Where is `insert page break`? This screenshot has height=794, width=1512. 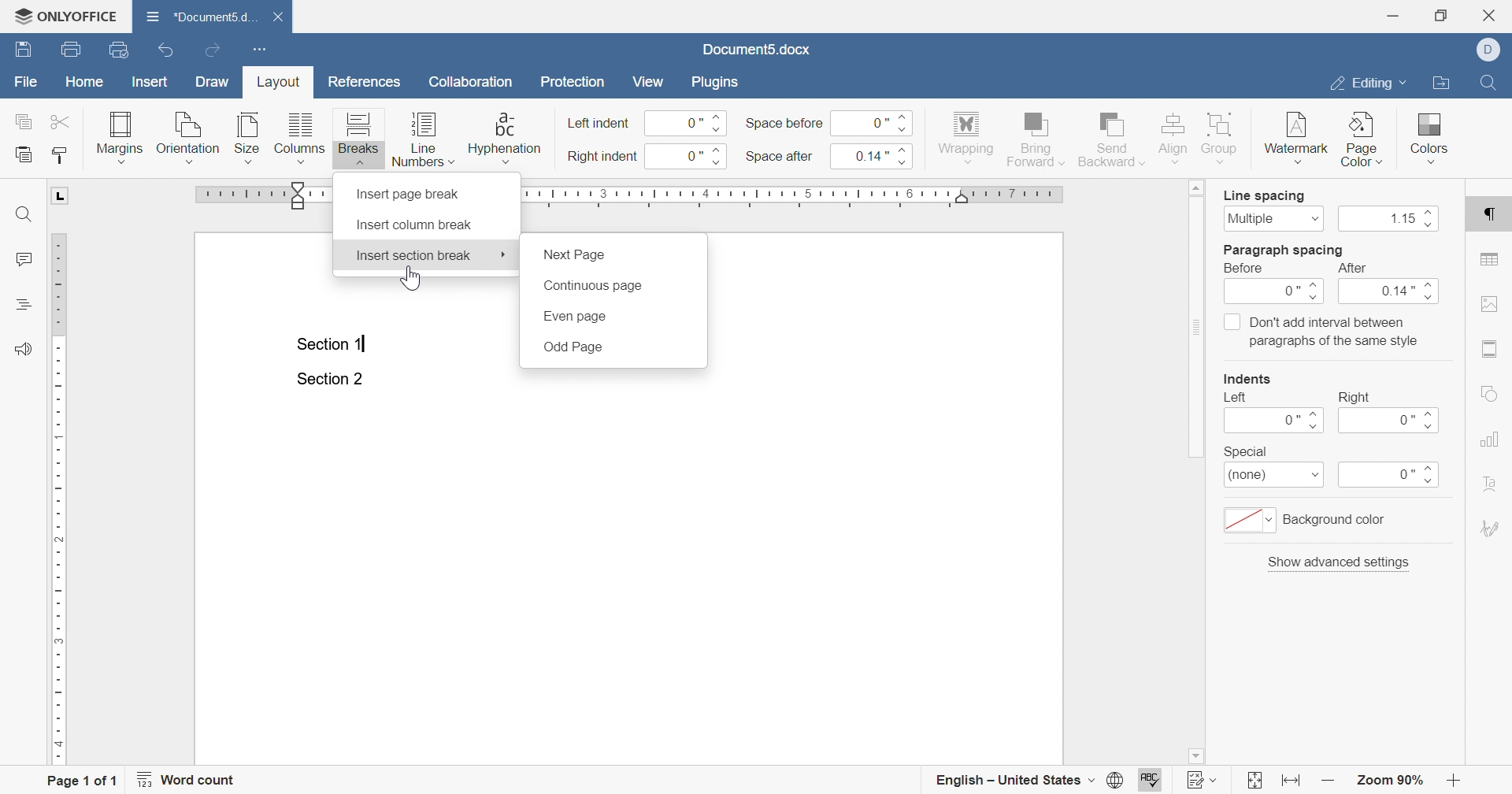
insert page break is located at coordinates (411, 194).